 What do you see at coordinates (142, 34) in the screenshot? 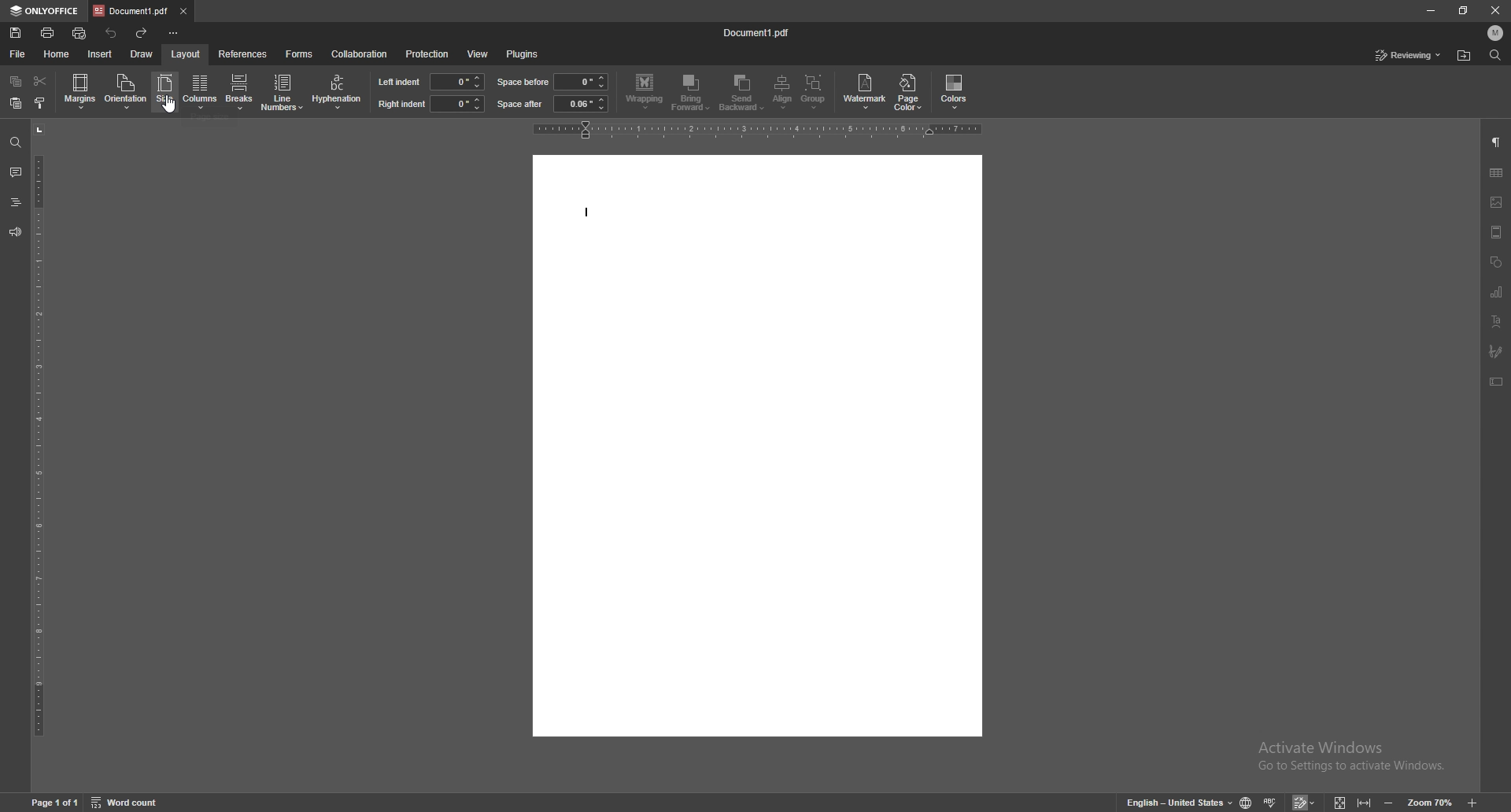
I see `redo` at bounding box center [142, 34].